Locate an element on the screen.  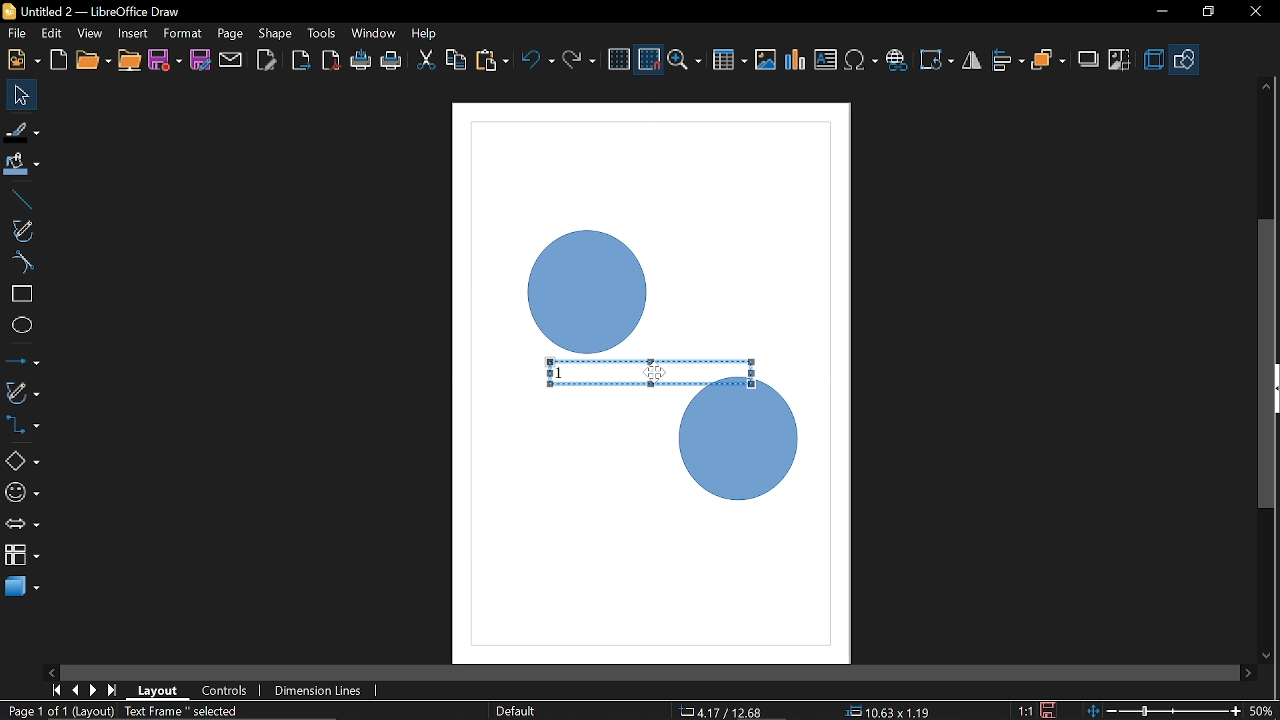
3d shapes is located at coordinates (22, 585).